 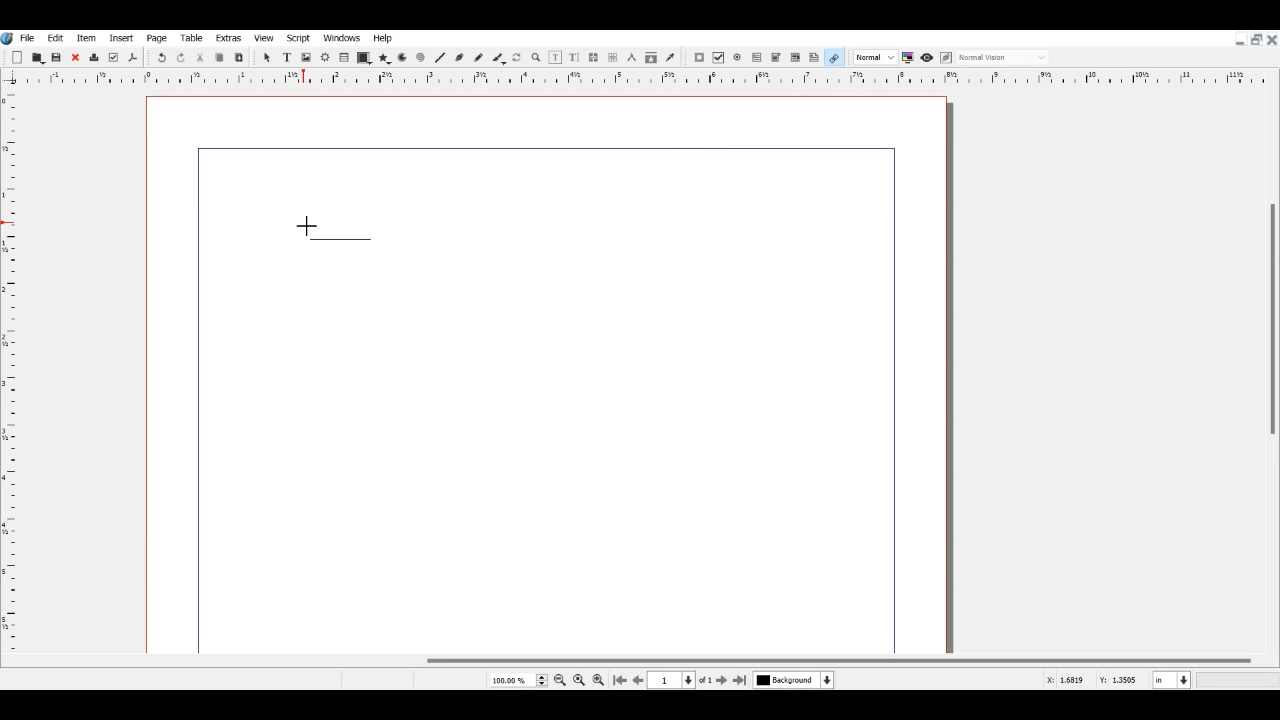 I want to click on Maximize, so click(x=1256, y=38).